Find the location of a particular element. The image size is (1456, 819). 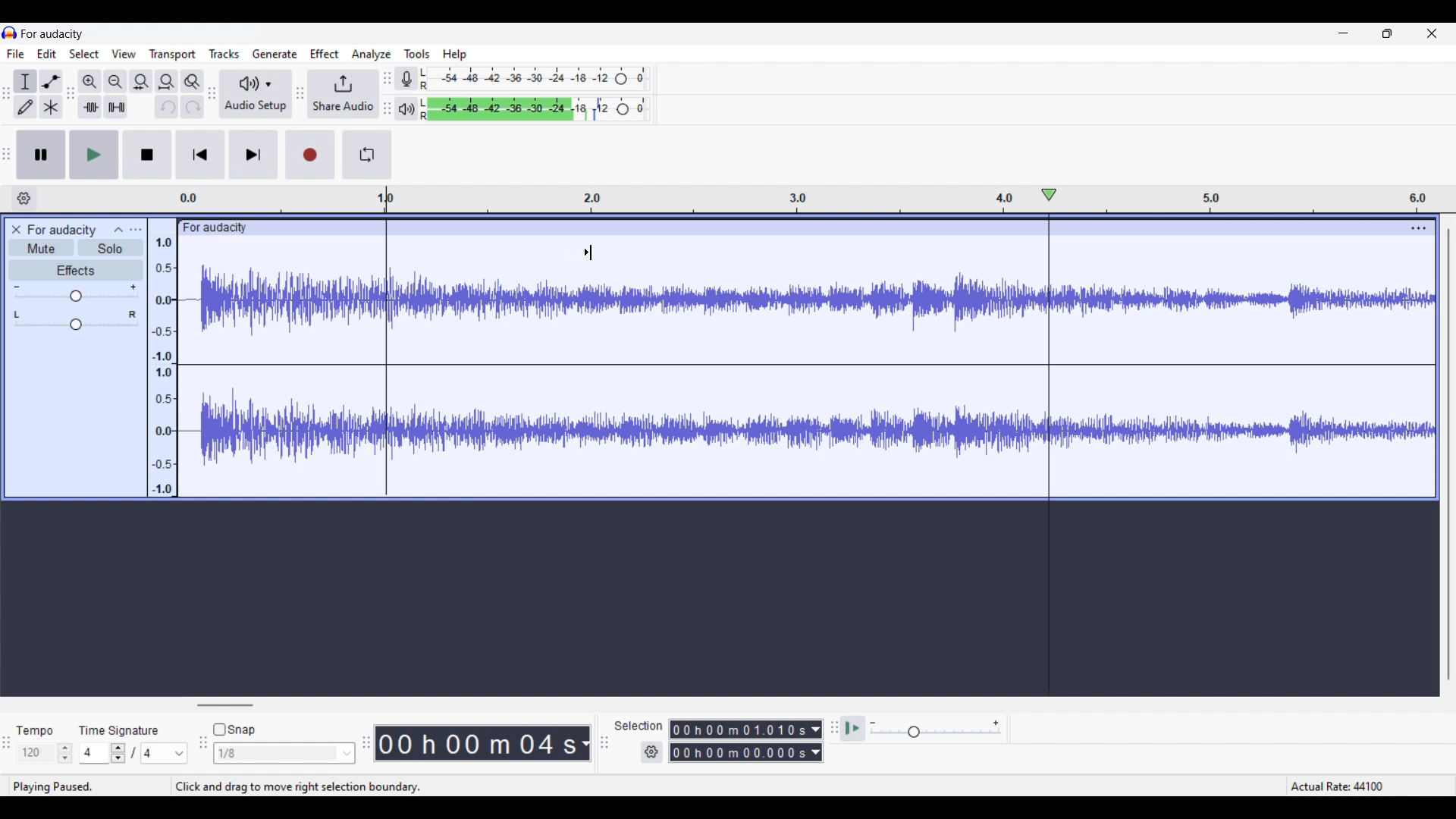

Recording level is located at coordinates (535, 79).